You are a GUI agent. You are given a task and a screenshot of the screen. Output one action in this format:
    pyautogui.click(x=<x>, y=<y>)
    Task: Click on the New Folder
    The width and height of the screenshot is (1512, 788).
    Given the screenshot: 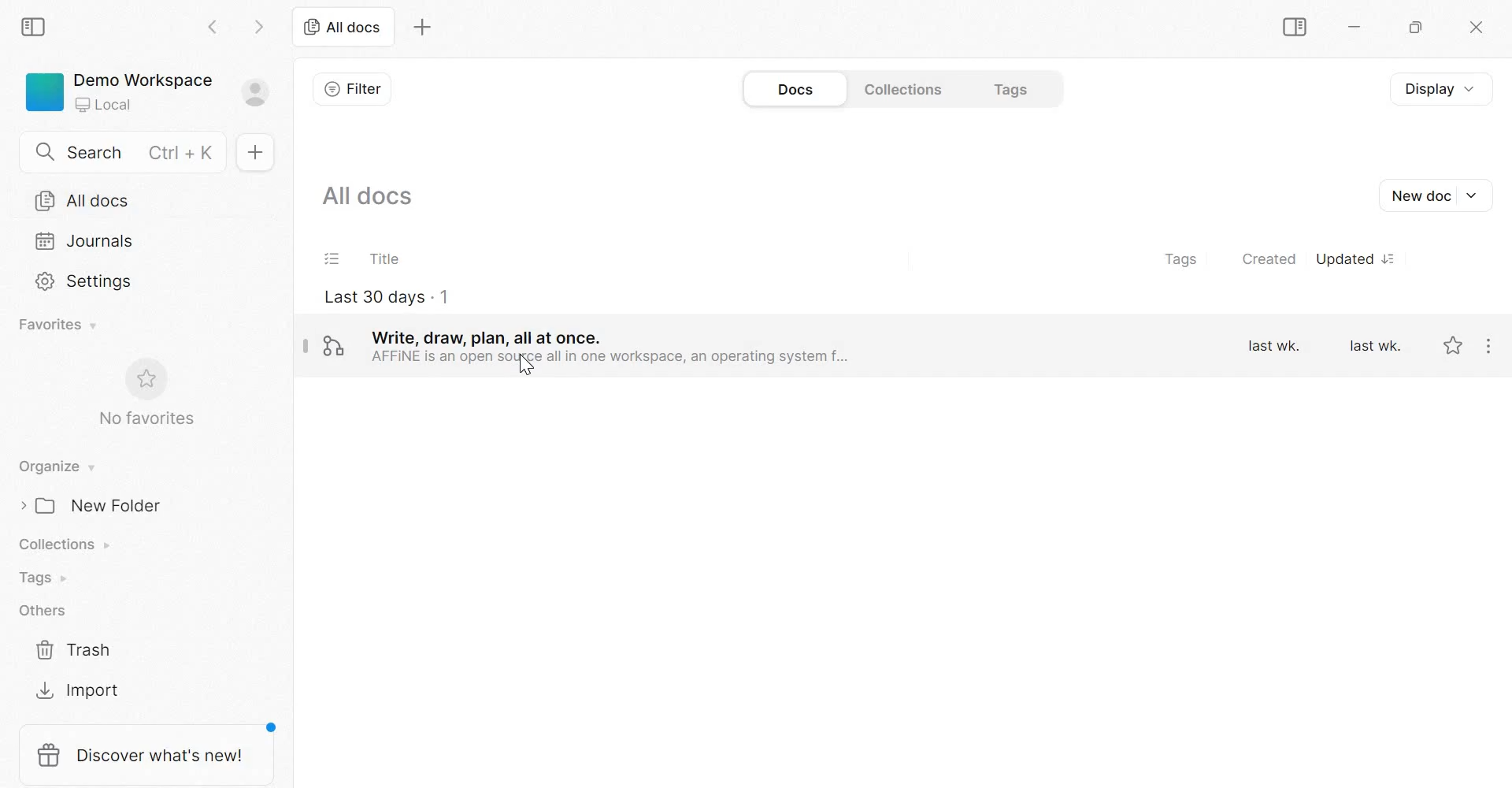 What is the action you would take?
    pyautogui.click(x=98, y=505)
    